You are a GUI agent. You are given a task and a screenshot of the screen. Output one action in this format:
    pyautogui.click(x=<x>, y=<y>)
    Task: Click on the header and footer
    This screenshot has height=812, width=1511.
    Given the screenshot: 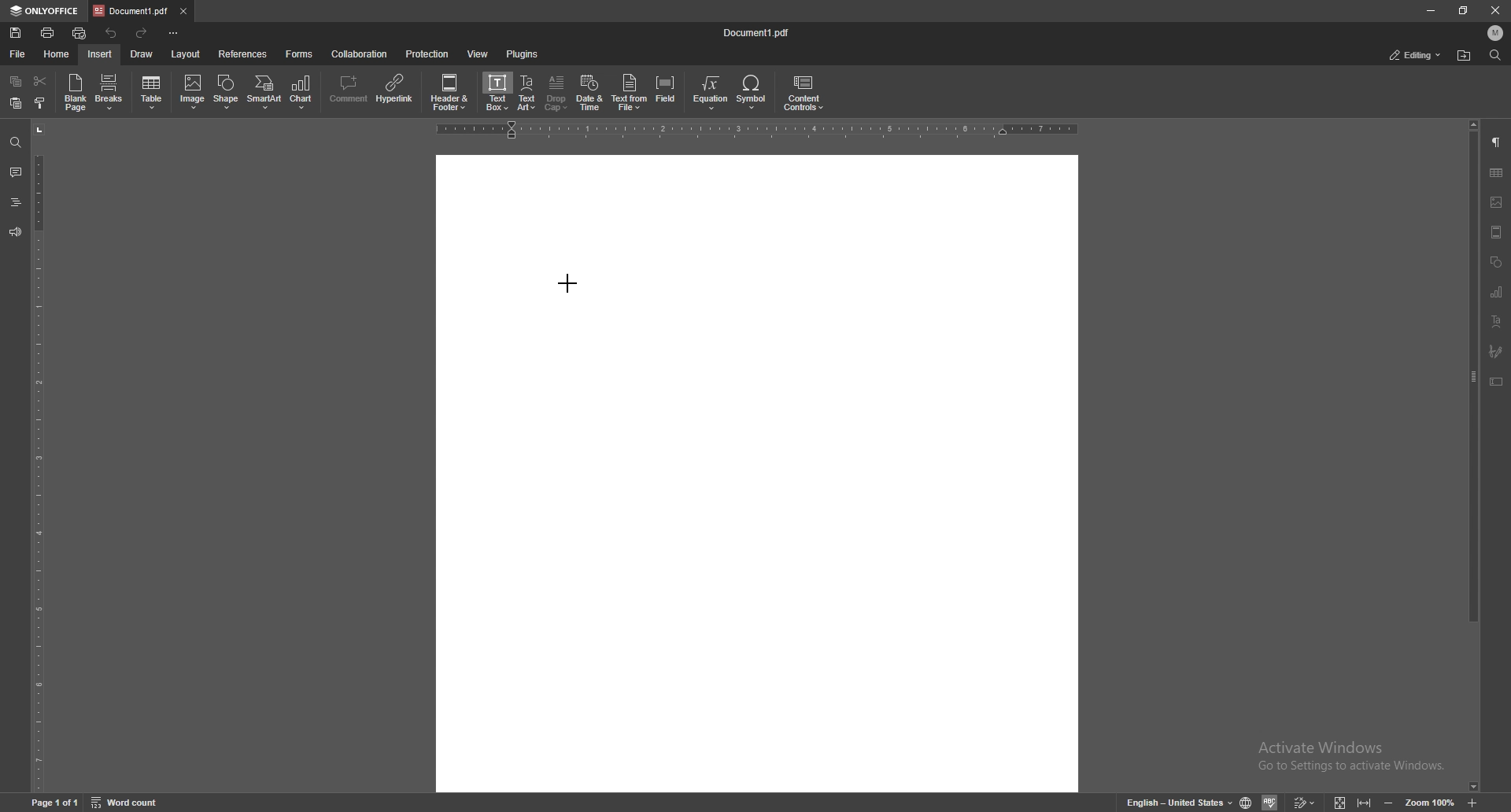 What is the action you would take?
    pyautogui.click(x=453, y=91)
    